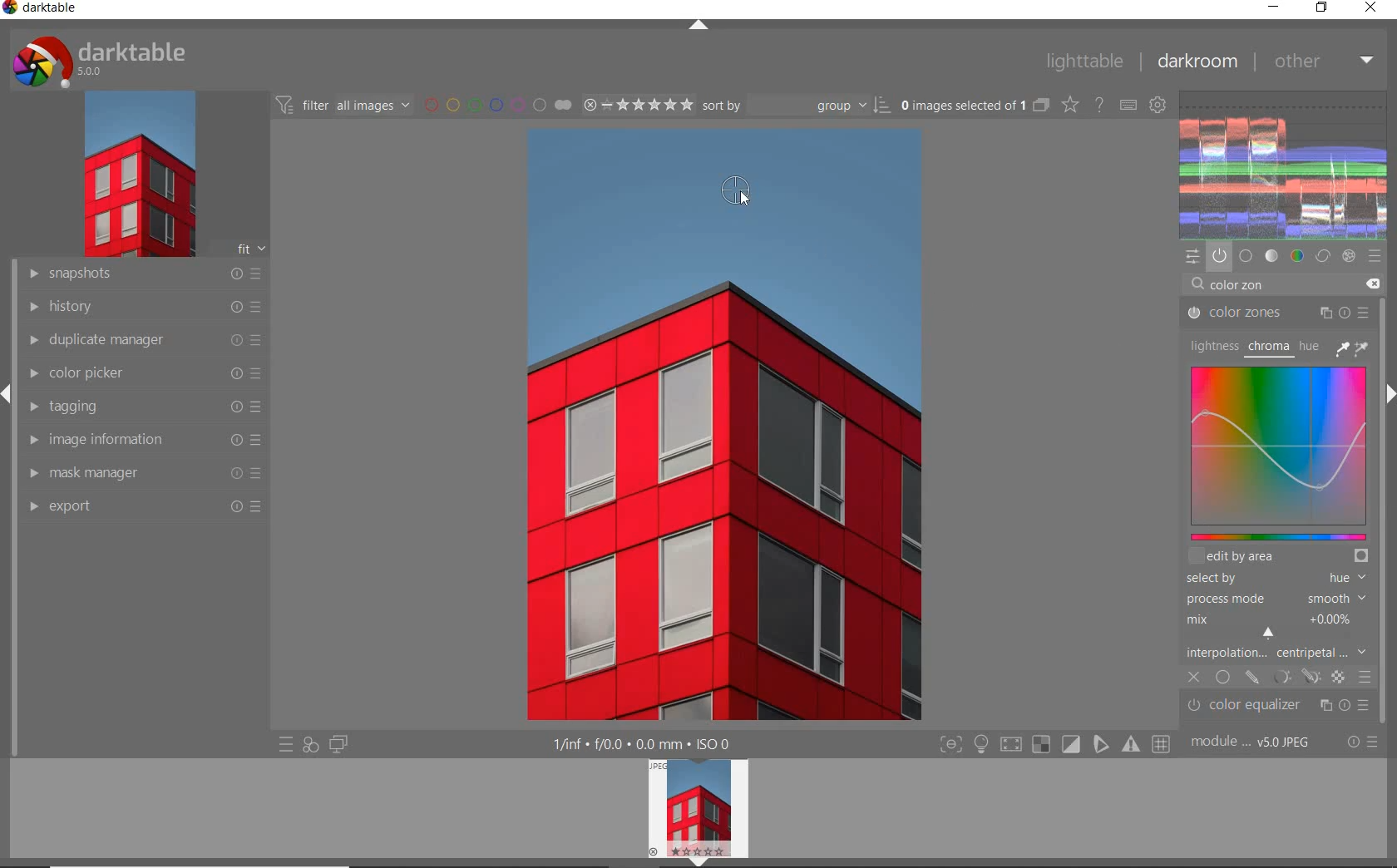 The image size is (1397, 868). I want to click on show global preferences, so click(1159, 106).